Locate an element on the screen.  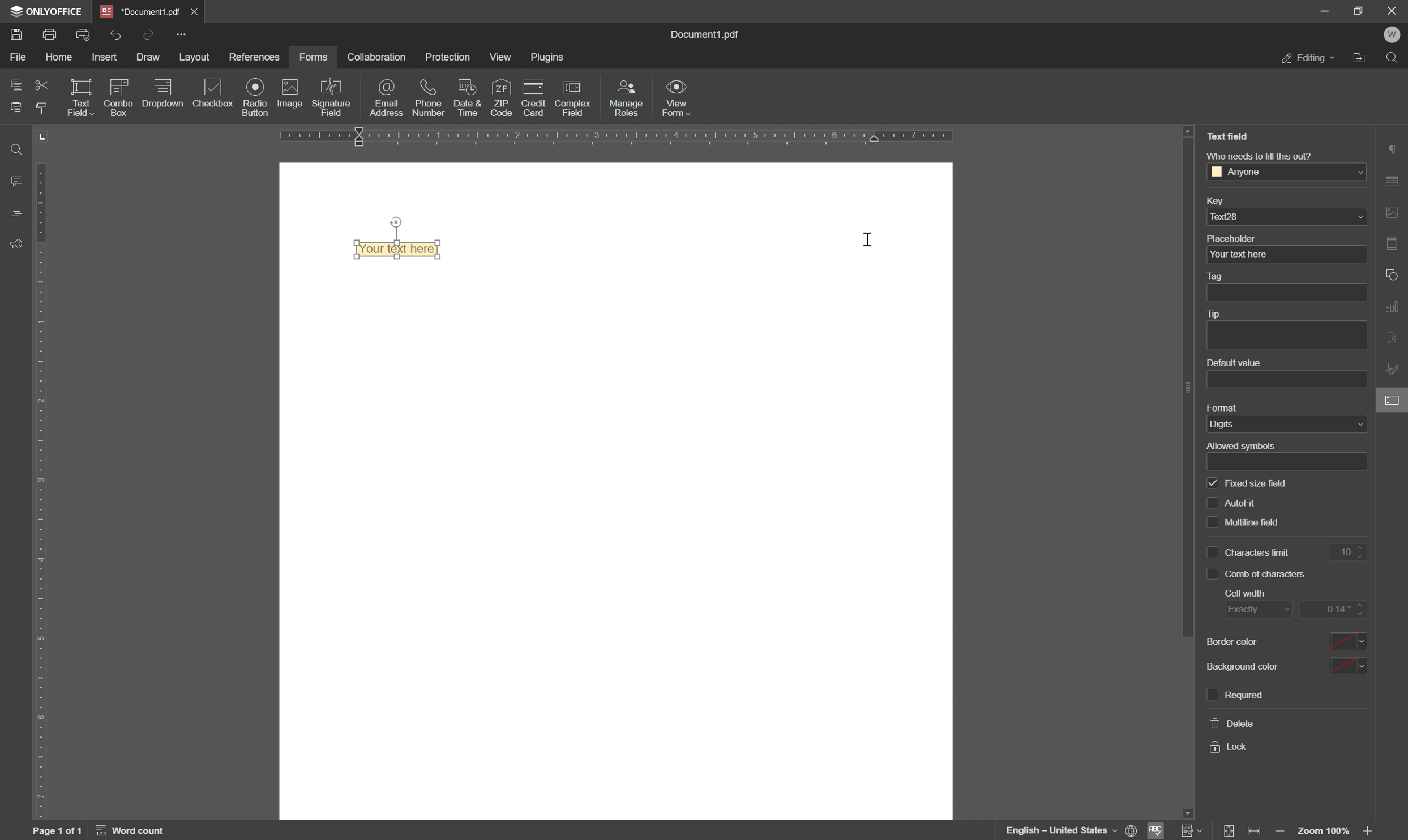
phone number is located at coordinates (427, 99).